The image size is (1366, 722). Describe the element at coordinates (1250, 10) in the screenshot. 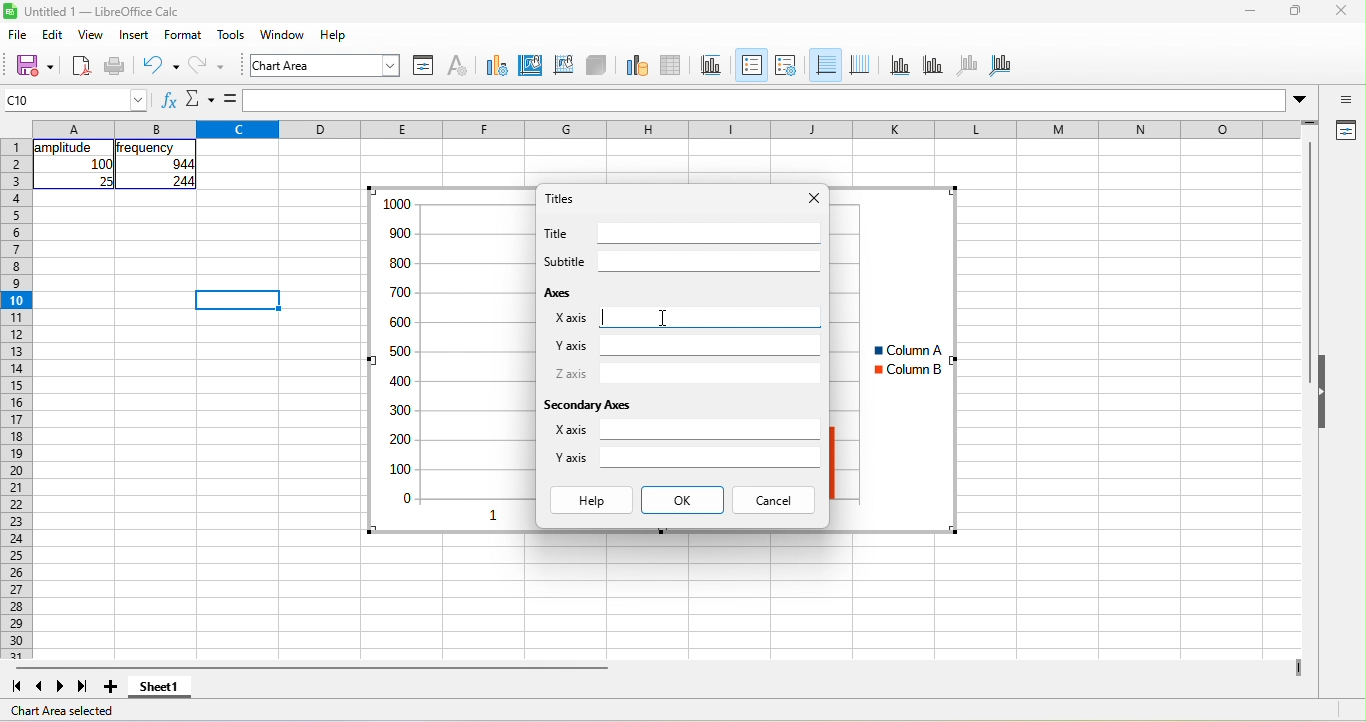

I see `minimize` at that location.